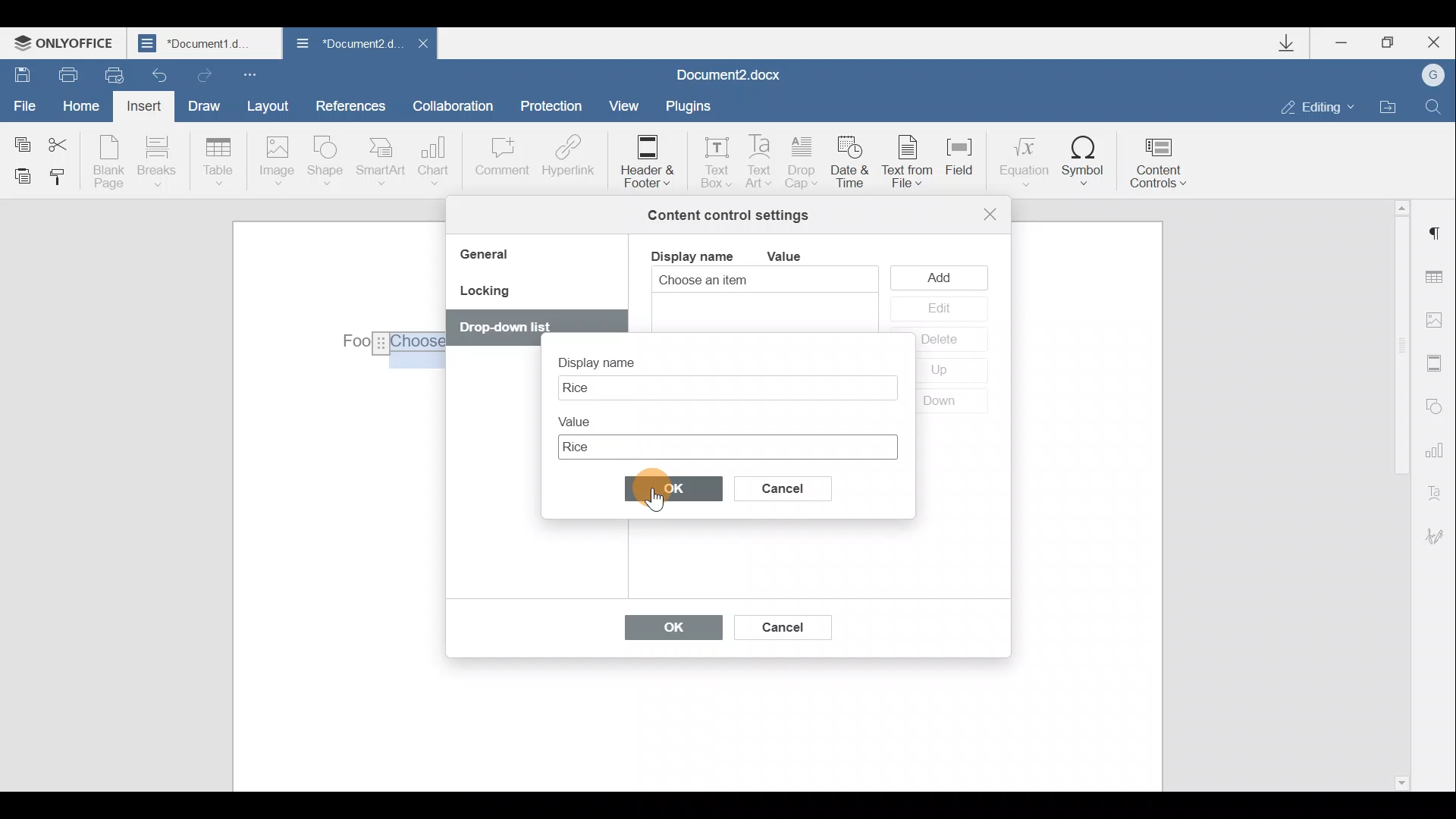  I want to click on Scroll bar, so click(1397, 493).